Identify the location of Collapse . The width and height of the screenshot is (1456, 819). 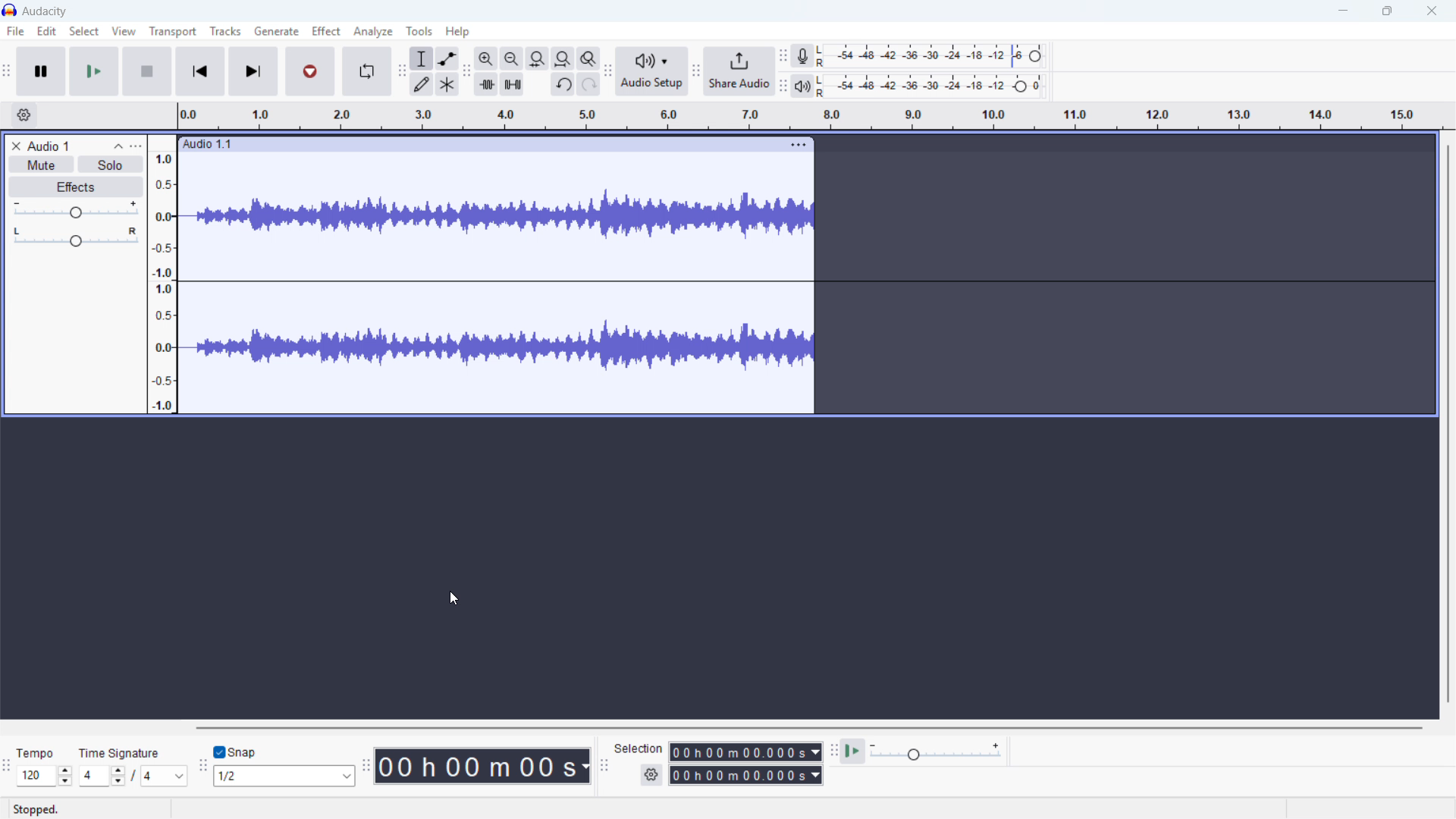
(118, 146).